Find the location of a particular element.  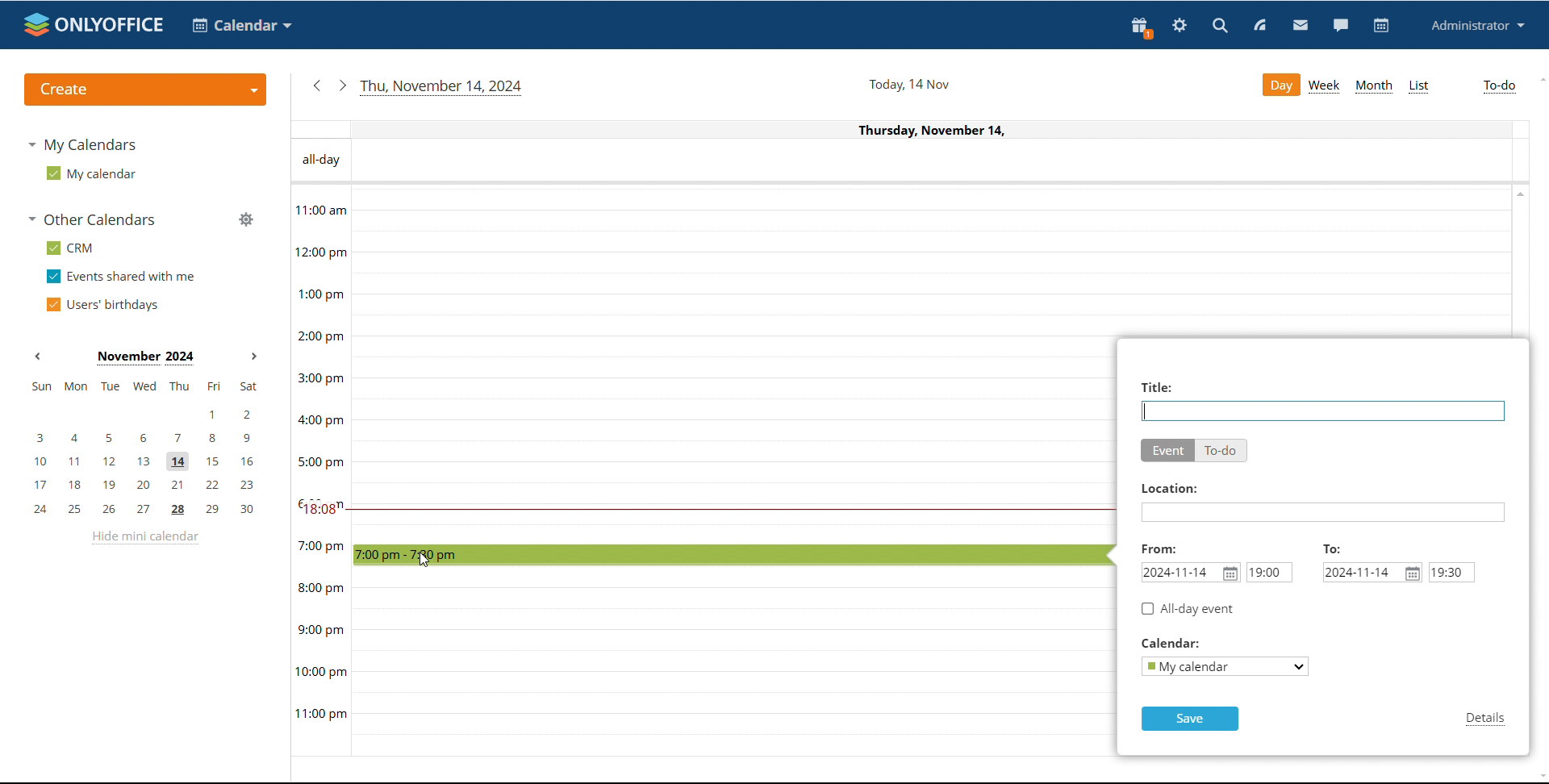

TO is located at coordinates (1334, 549).